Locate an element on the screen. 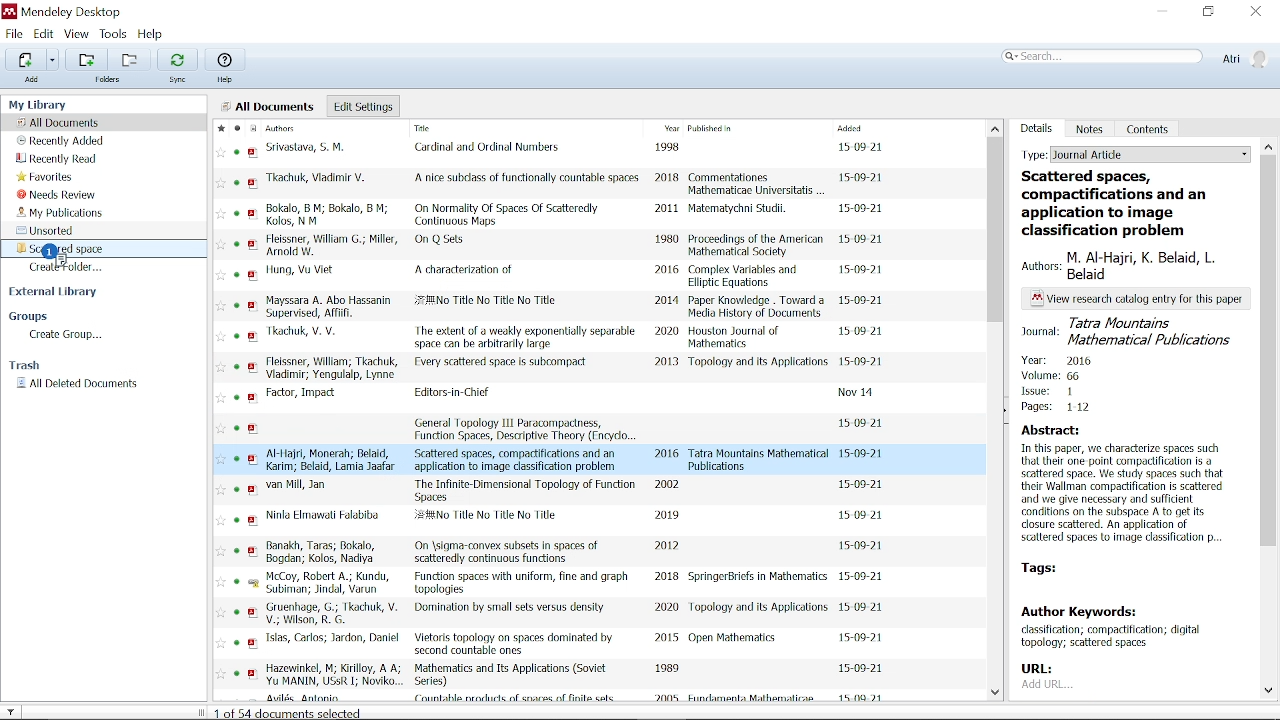  authors is located at coordinates (329, 243).